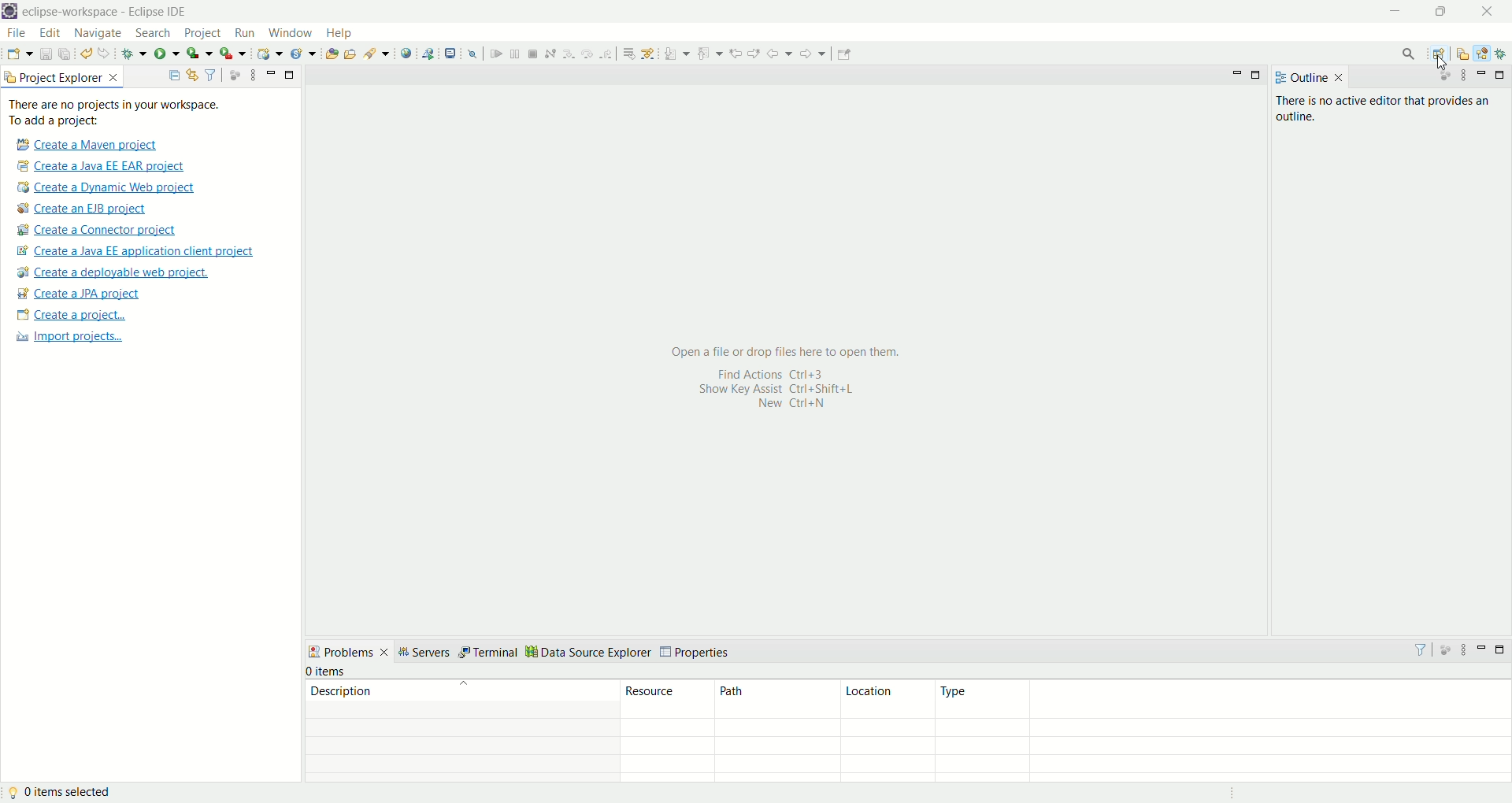 The height and width of the screenshot is (803, 1512). I want to click on new, so click(17, 54).